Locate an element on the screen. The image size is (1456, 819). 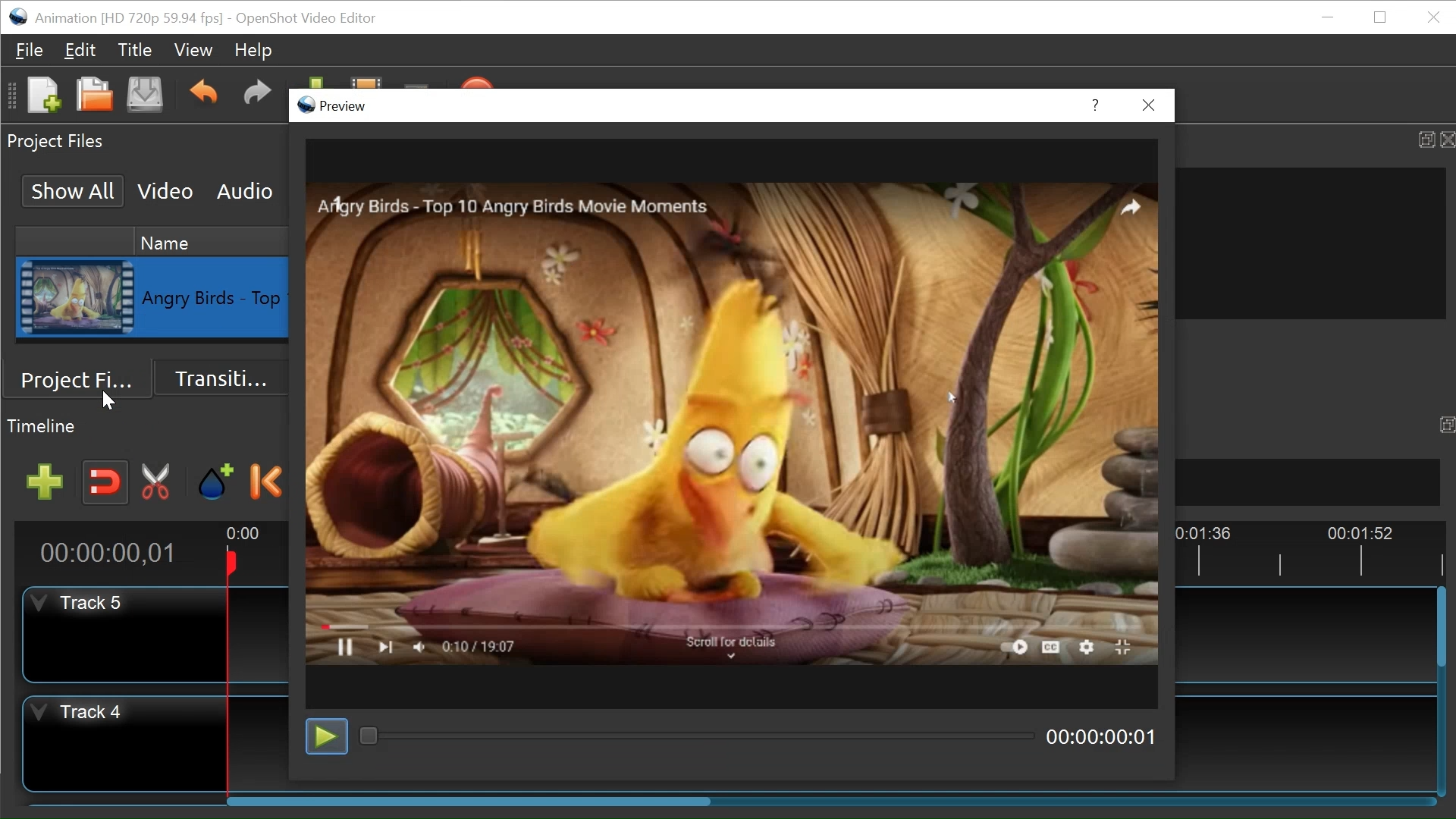
Vertical Scroll bar is located at coordinates (1441, 626).